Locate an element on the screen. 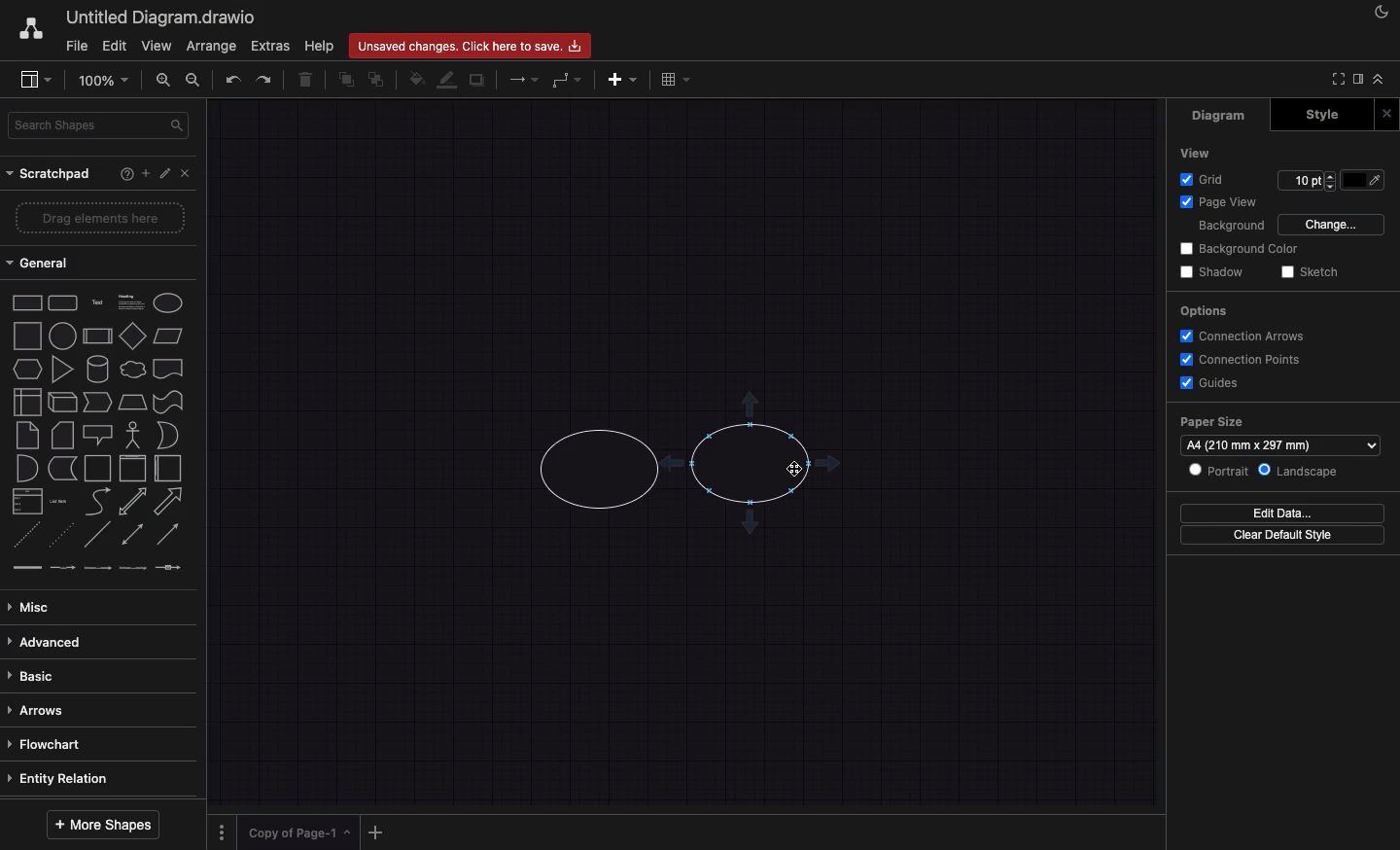 This screenshot has height=850, width=1400. circle is located at coordinates (63, 336).